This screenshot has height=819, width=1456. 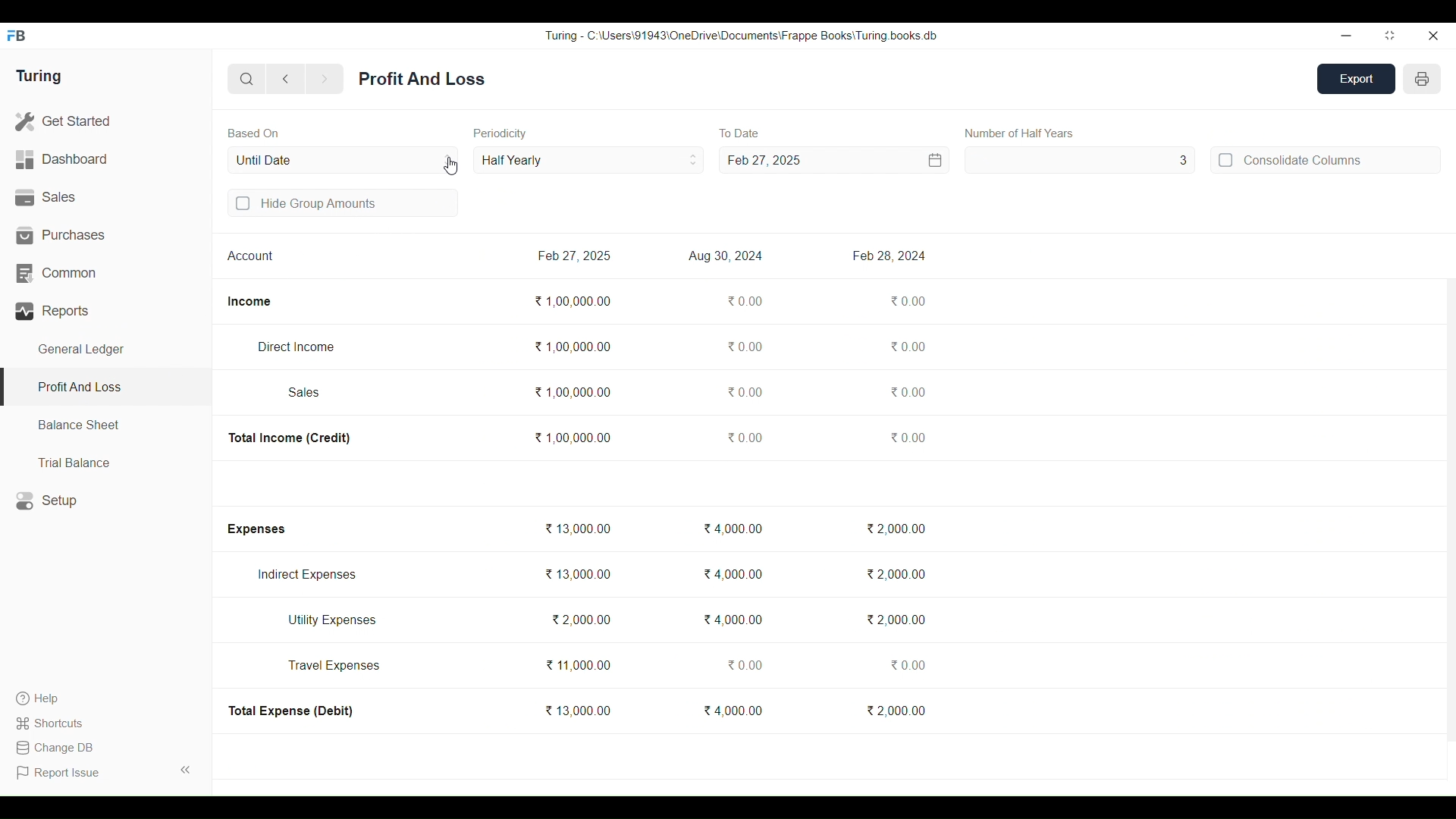 I want to click on 1,00,000.00, so click(x=573, y=301).